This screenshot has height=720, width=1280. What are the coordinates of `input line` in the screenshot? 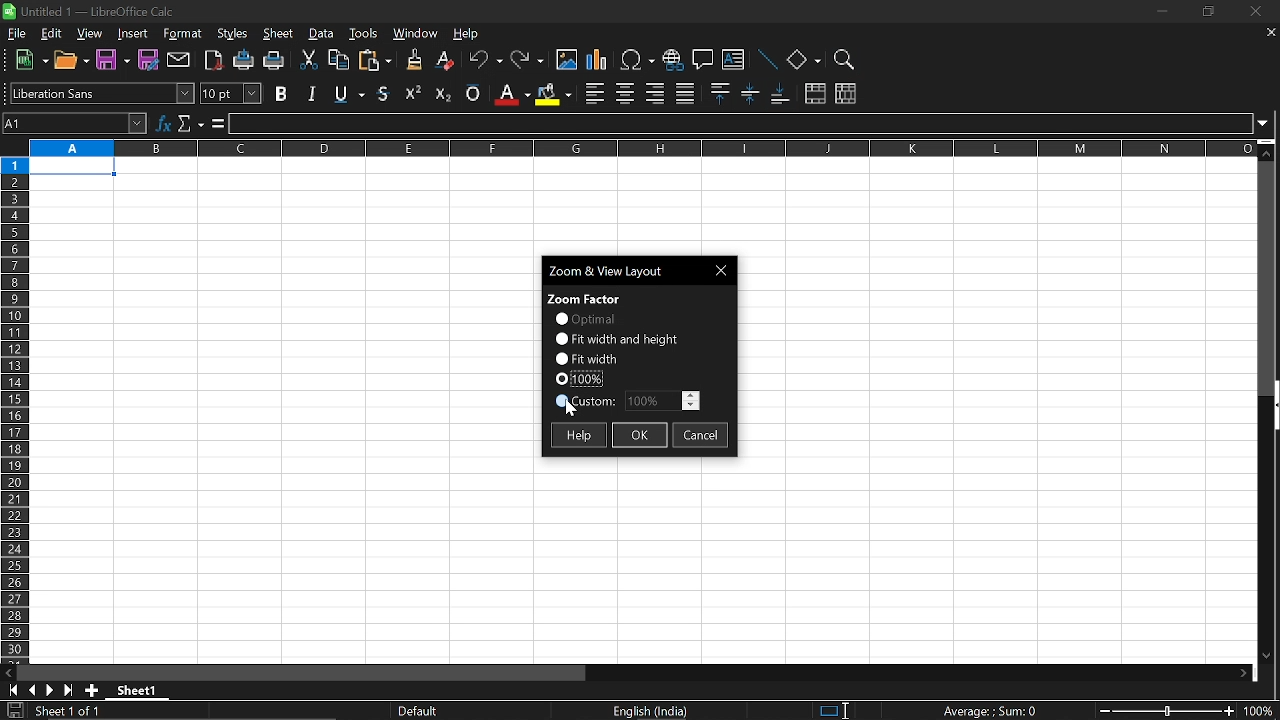 It's located at (742, 124).